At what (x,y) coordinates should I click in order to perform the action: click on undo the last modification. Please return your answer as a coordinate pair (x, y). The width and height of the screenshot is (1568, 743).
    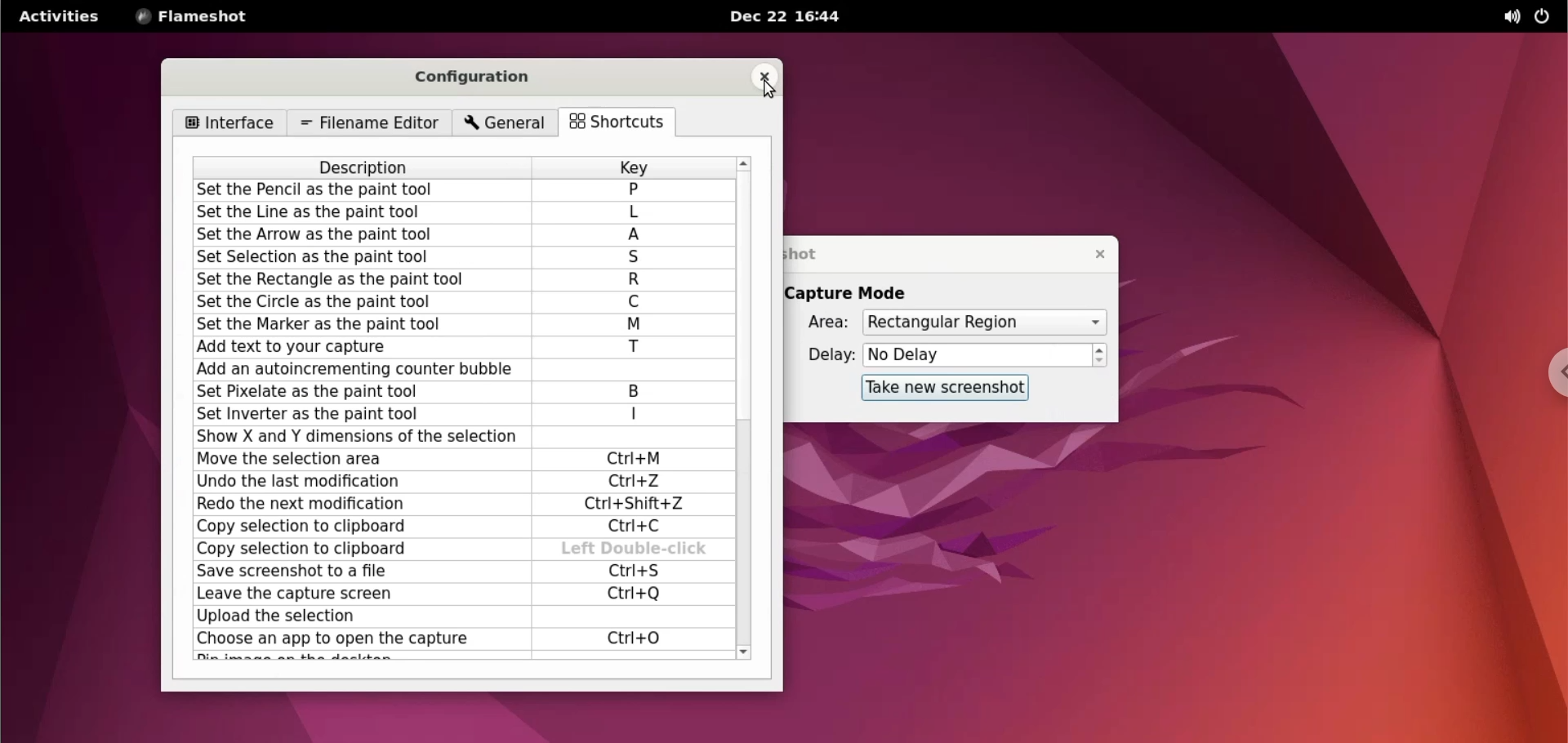
    Looking at the image, I should click on (354, 482).